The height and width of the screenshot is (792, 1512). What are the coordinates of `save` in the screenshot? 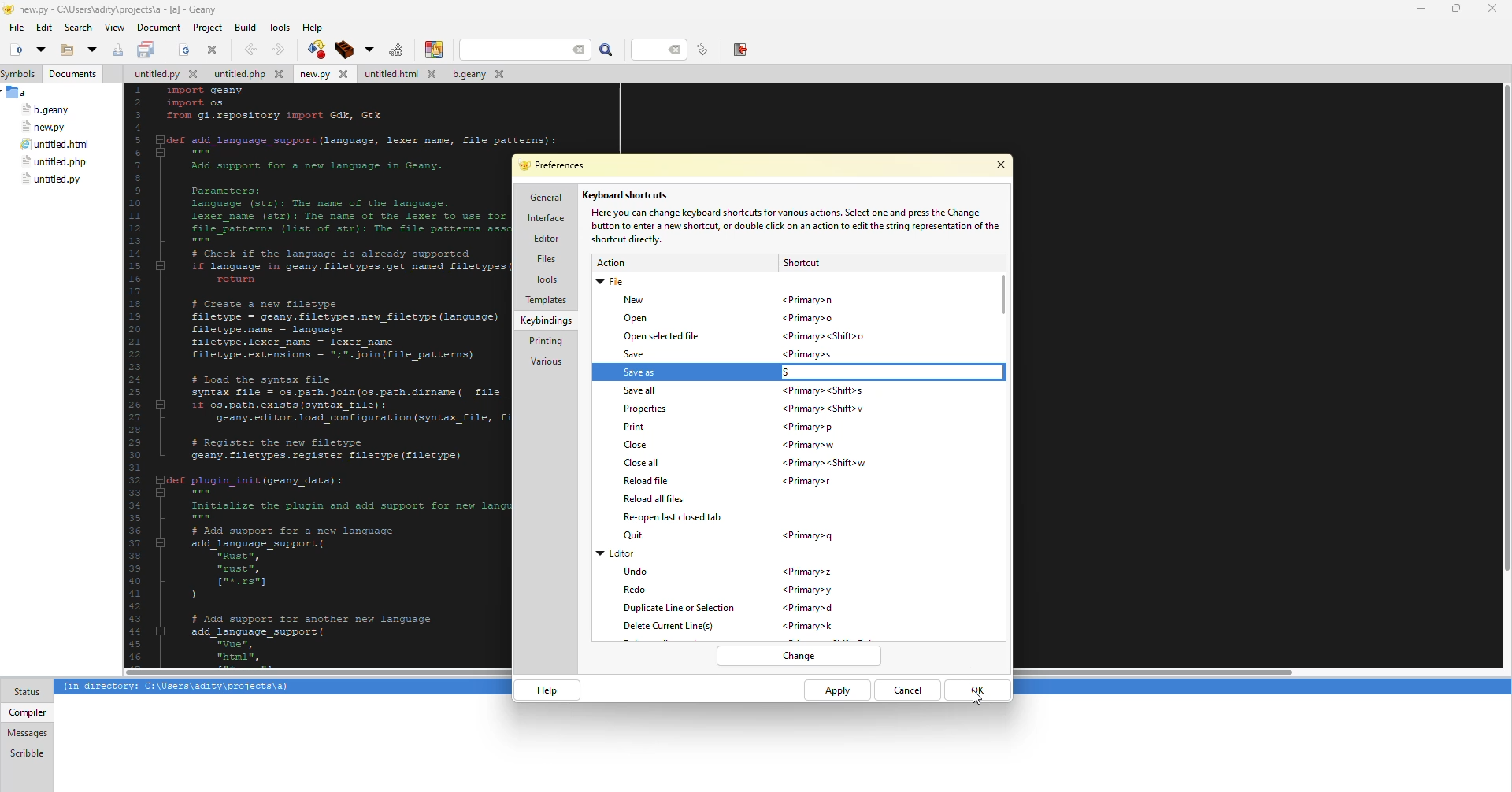 It's located at (147, 50).